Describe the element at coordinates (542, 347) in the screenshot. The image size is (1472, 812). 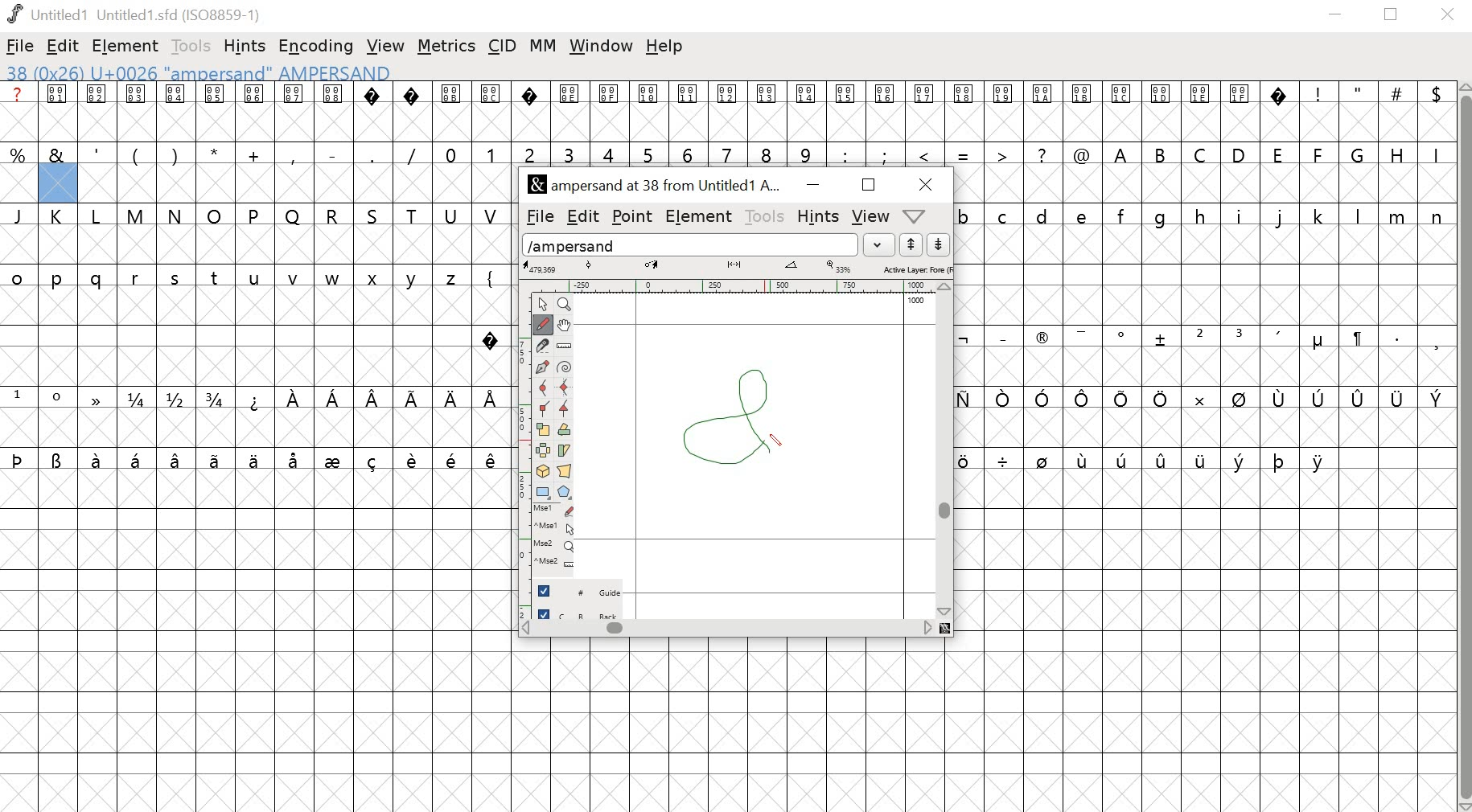
I see `cut splines in two` at that location.